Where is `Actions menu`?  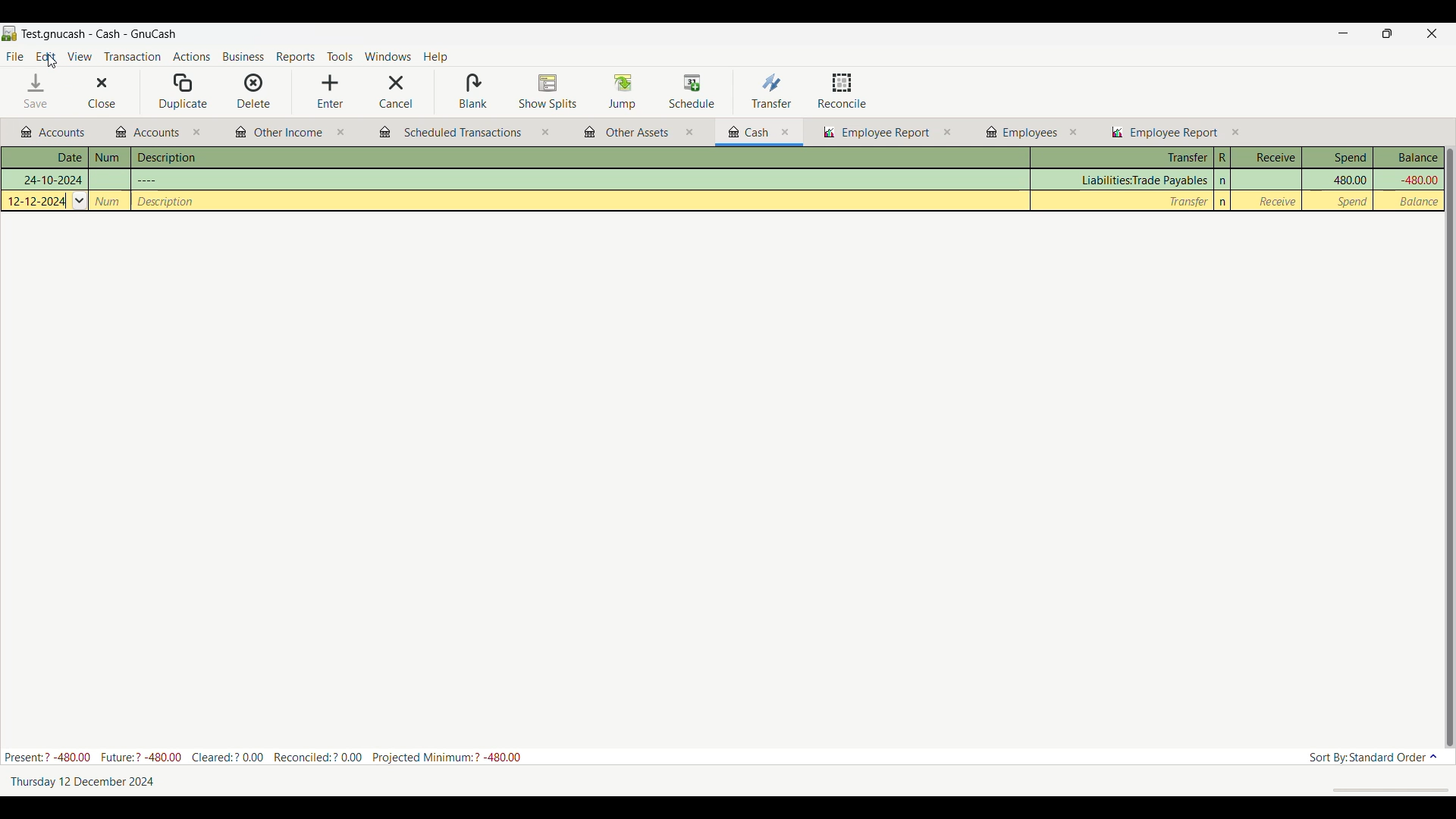
Actions menu is located at coordinates (192, 56).